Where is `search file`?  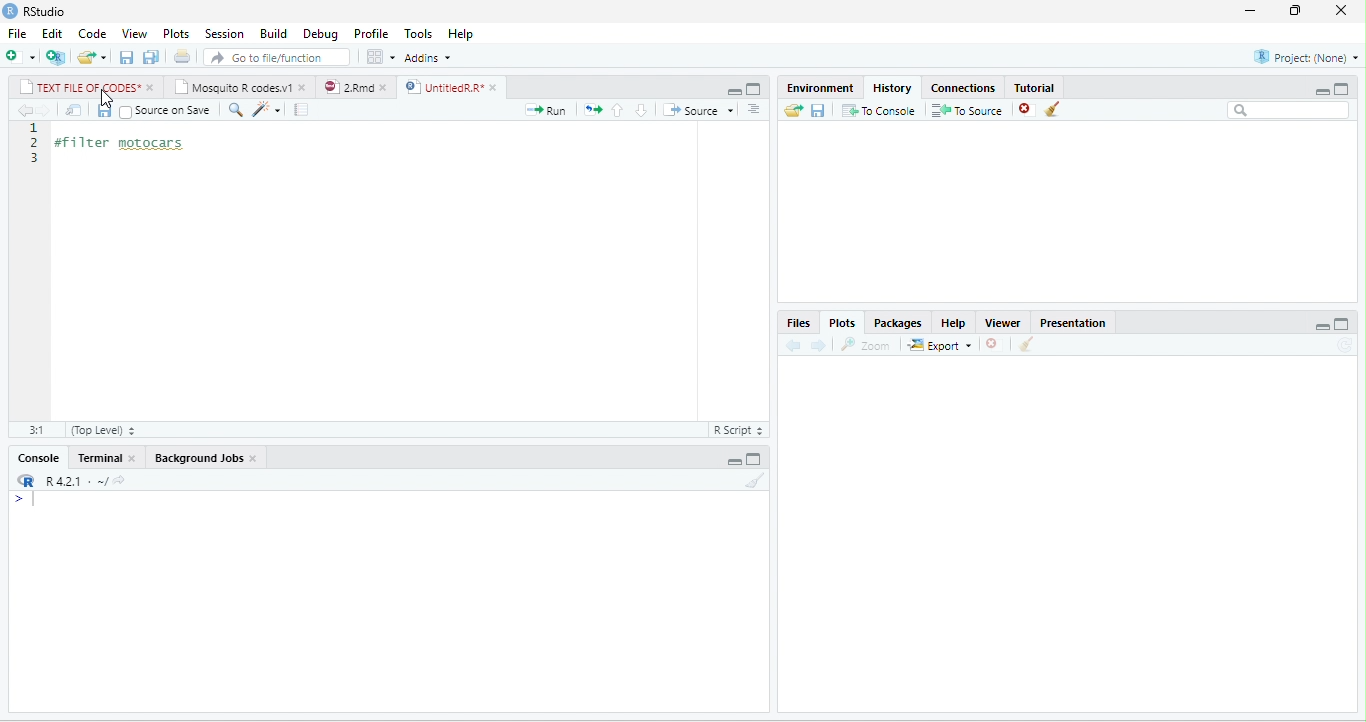
search file is located at coordinates (276, 58).